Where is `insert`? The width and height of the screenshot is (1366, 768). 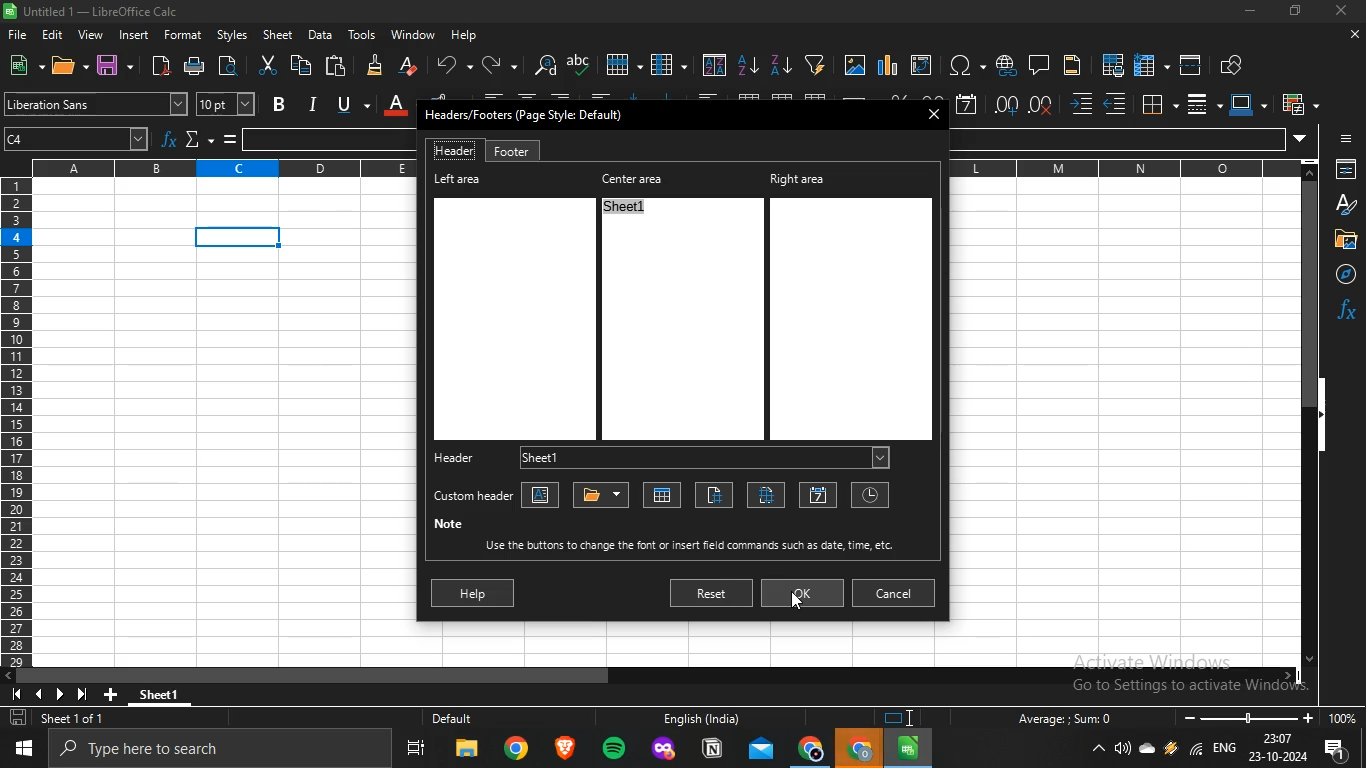 insert is located at coordinates (134, 34).